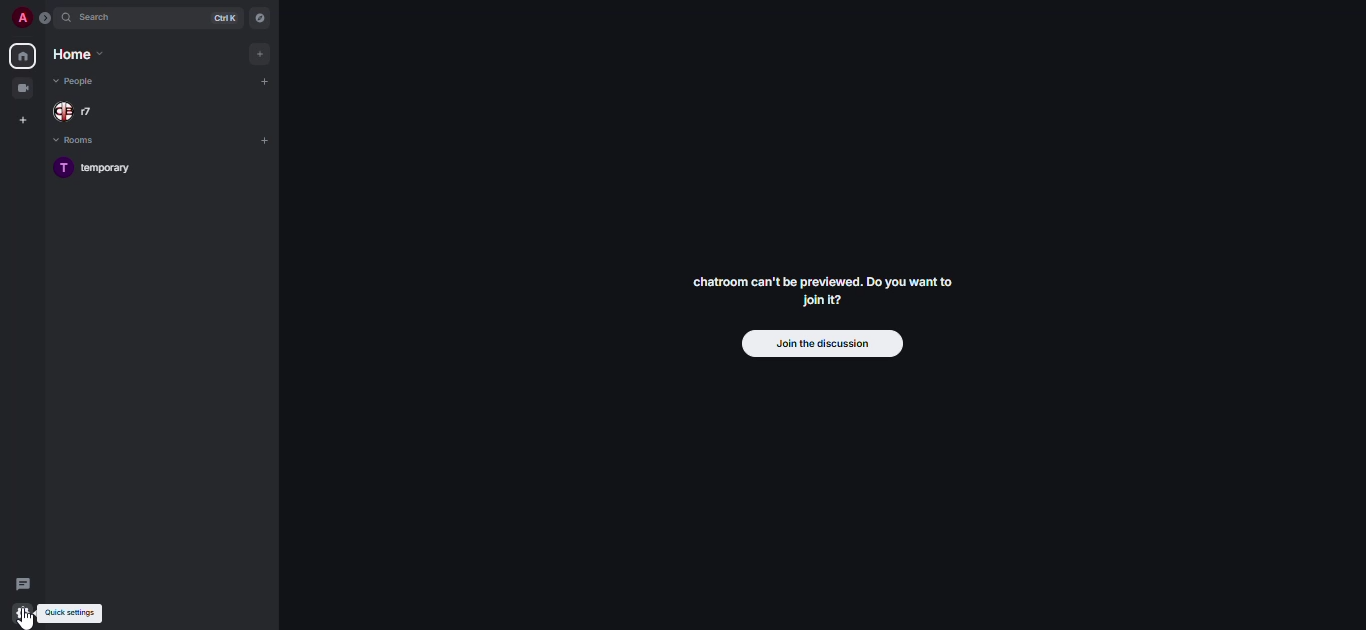  What do you see at coordinates (24, 615) in the screenshot?
I see `quick settings` at bounding box center [24, 615].